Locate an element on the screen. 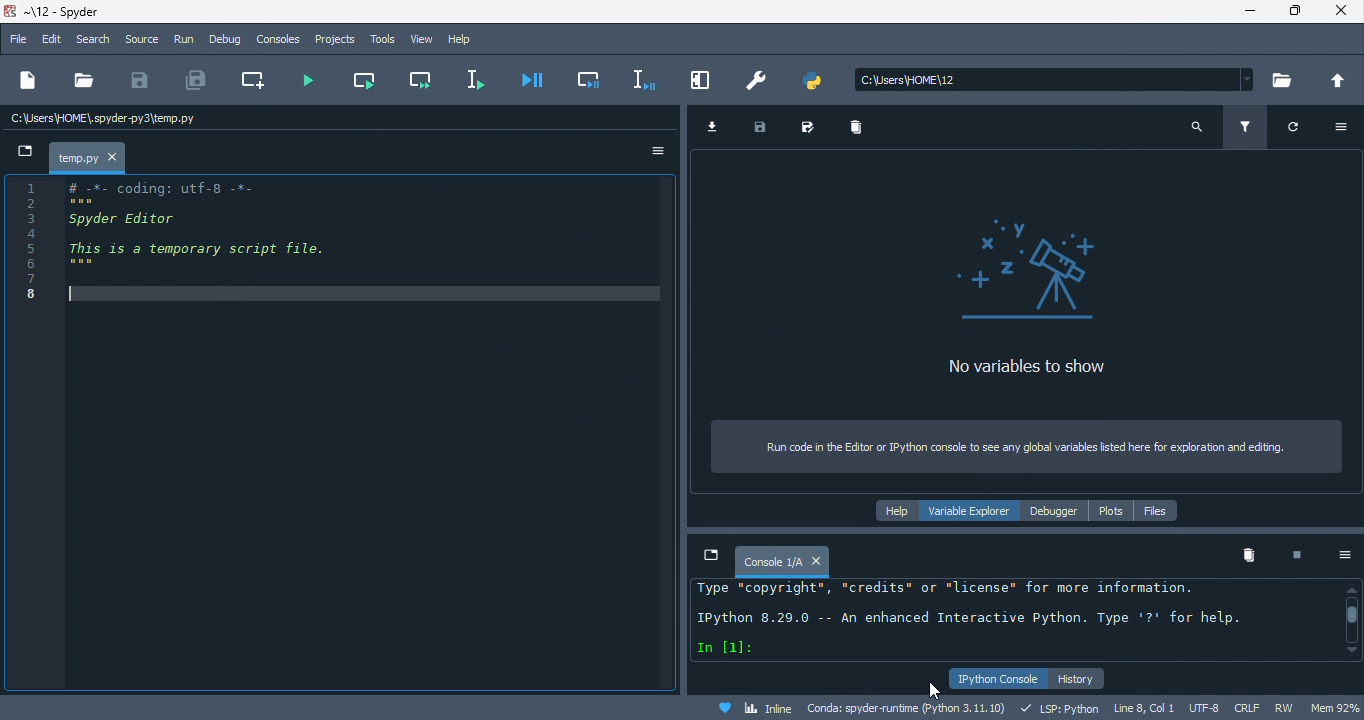  inline is located at coordinates (757, 709).